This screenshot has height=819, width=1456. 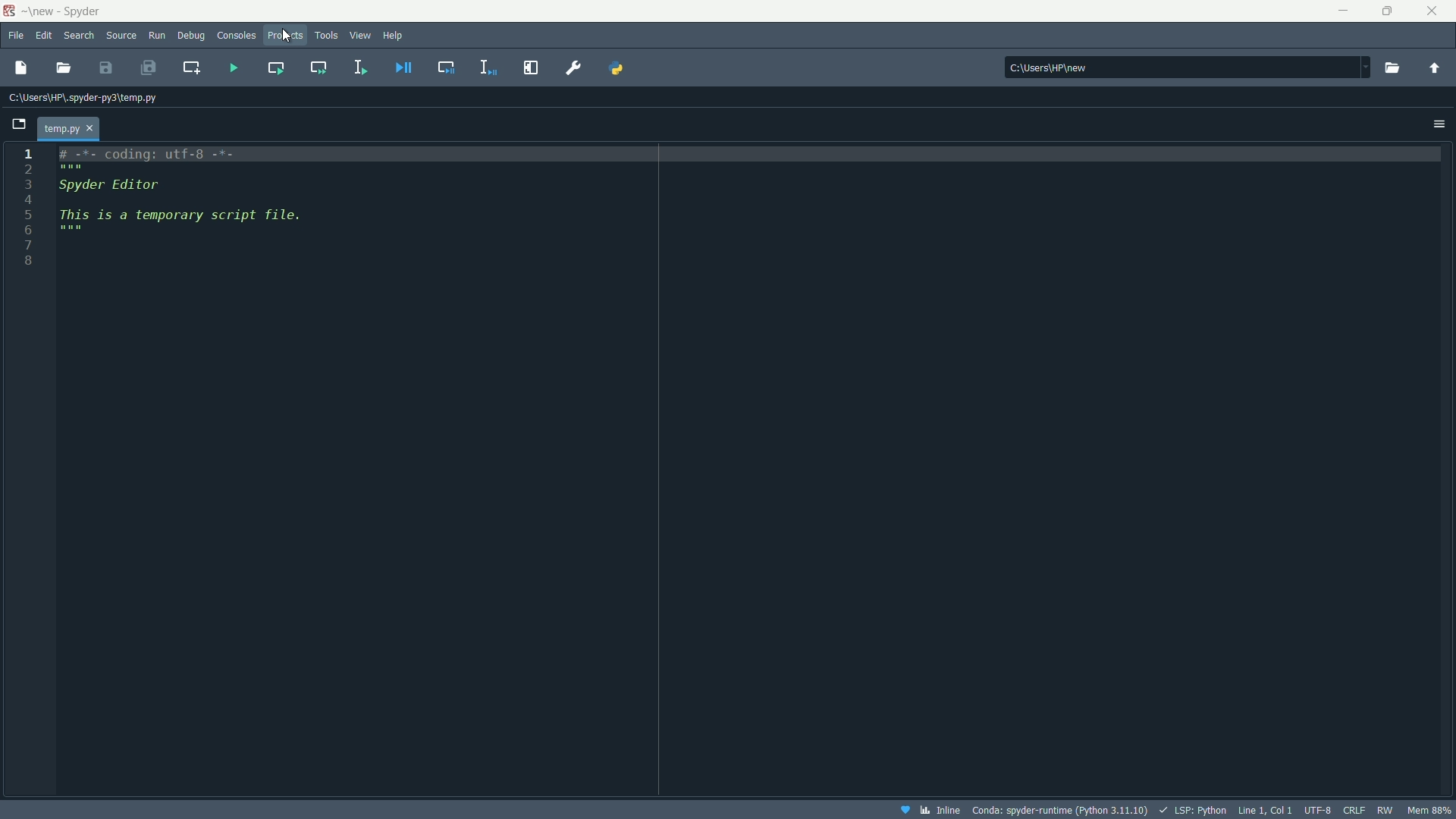 What do you see at coordinates (361, 37) in the screenshot?
I see `View menu` at bounding box center [361, 37].